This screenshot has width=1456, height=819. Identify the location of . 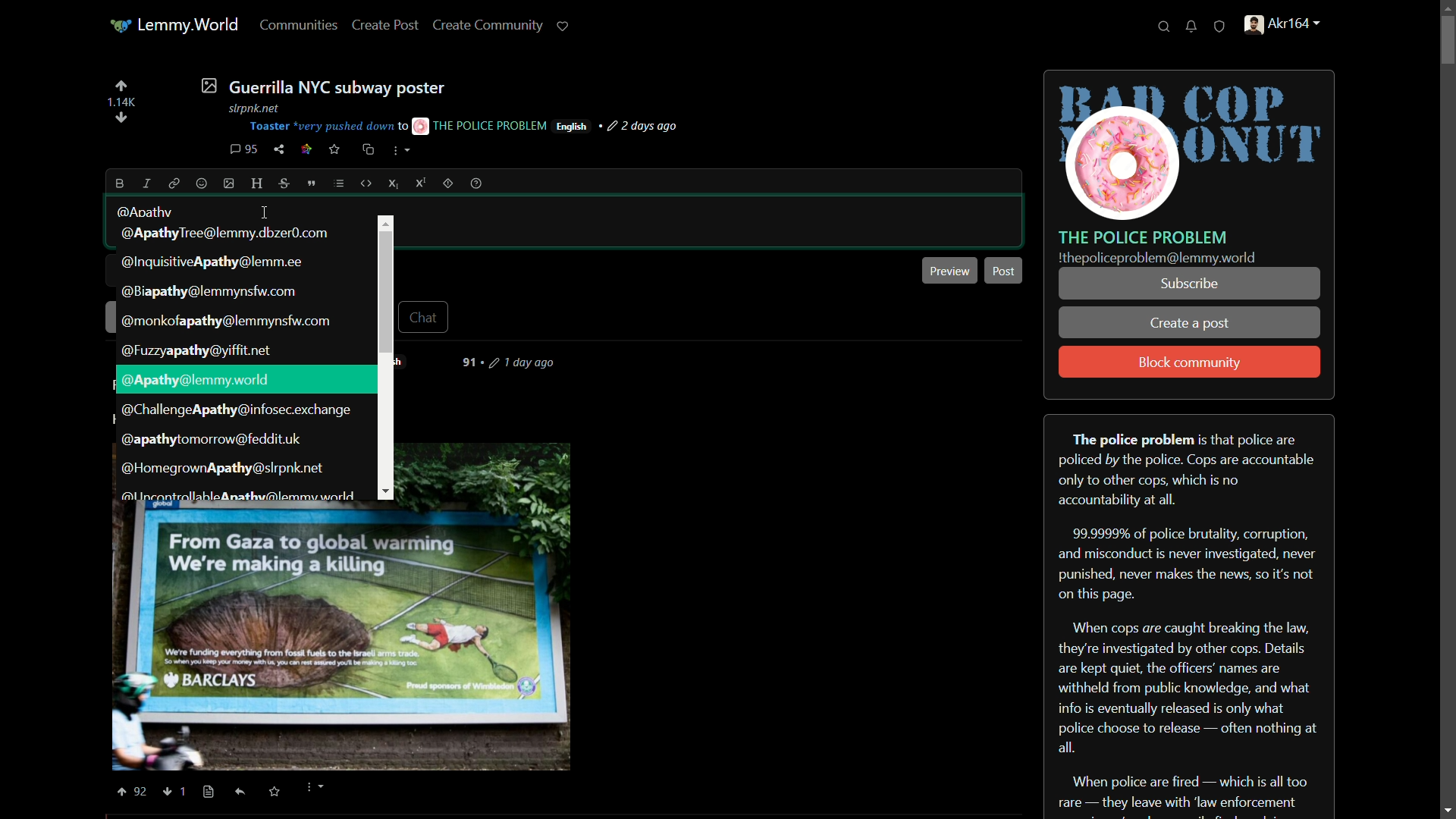
(168, 792).